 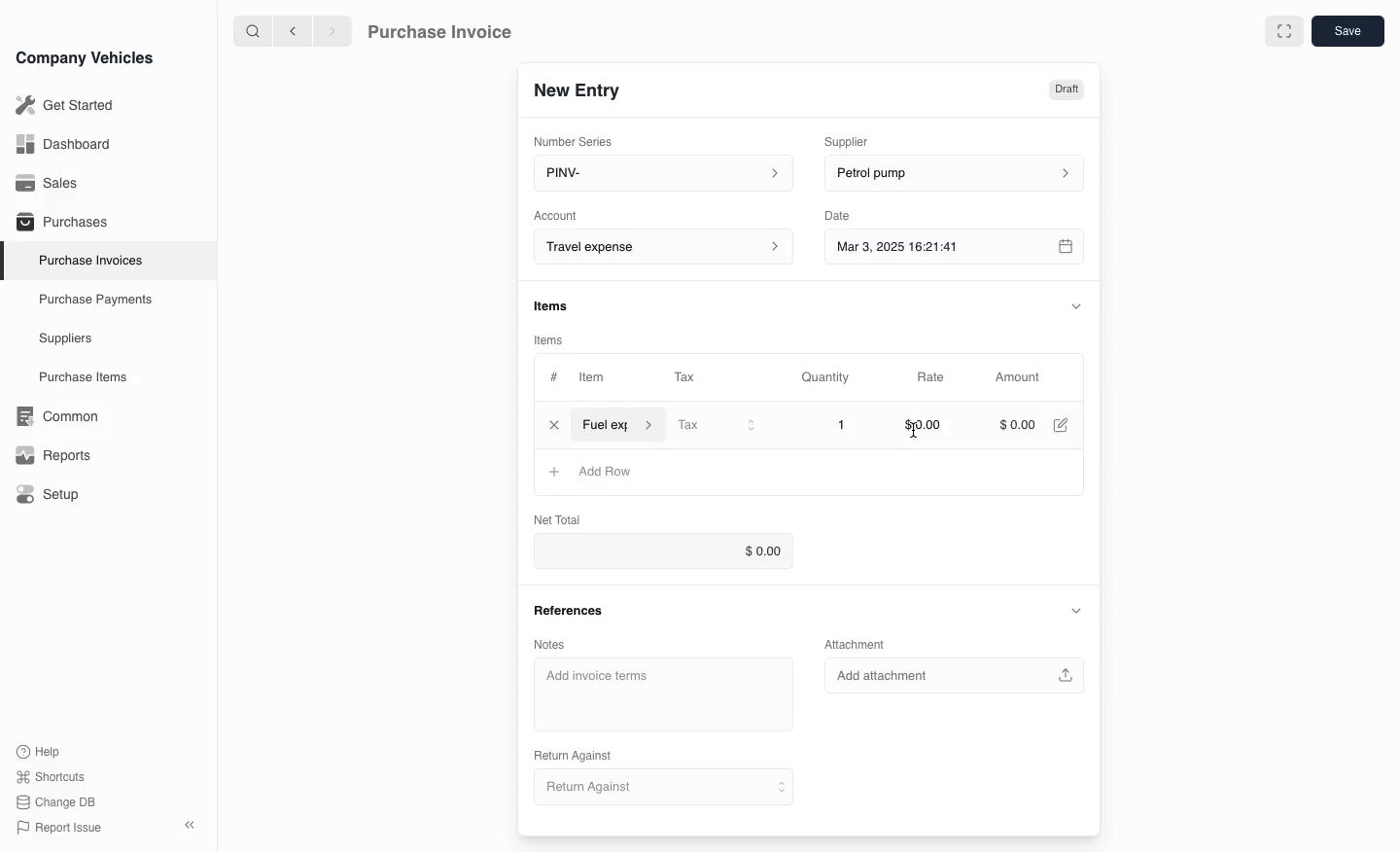 I want to click on References, so click(x=571, y=610).